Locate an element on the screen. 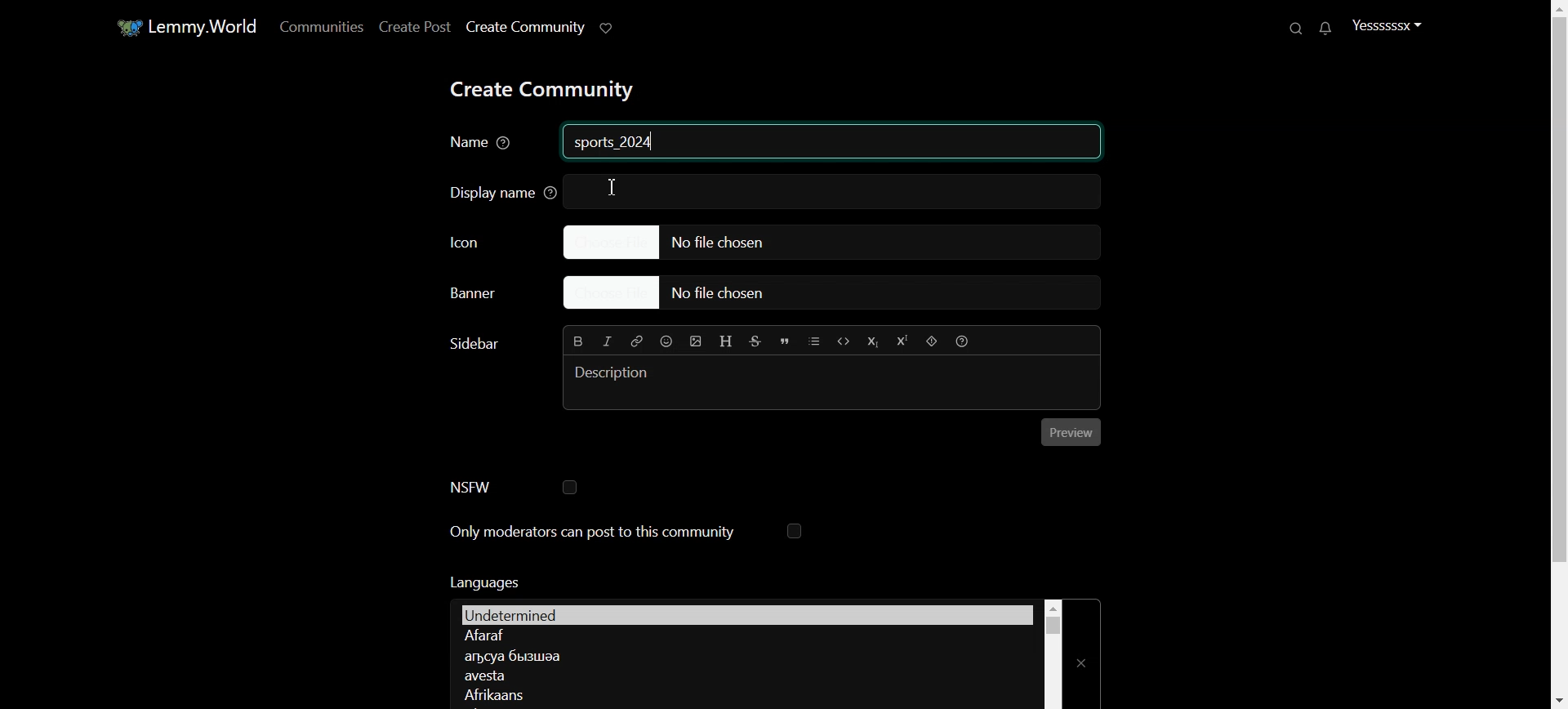  Unread message is located at coordinates (1324, 29).